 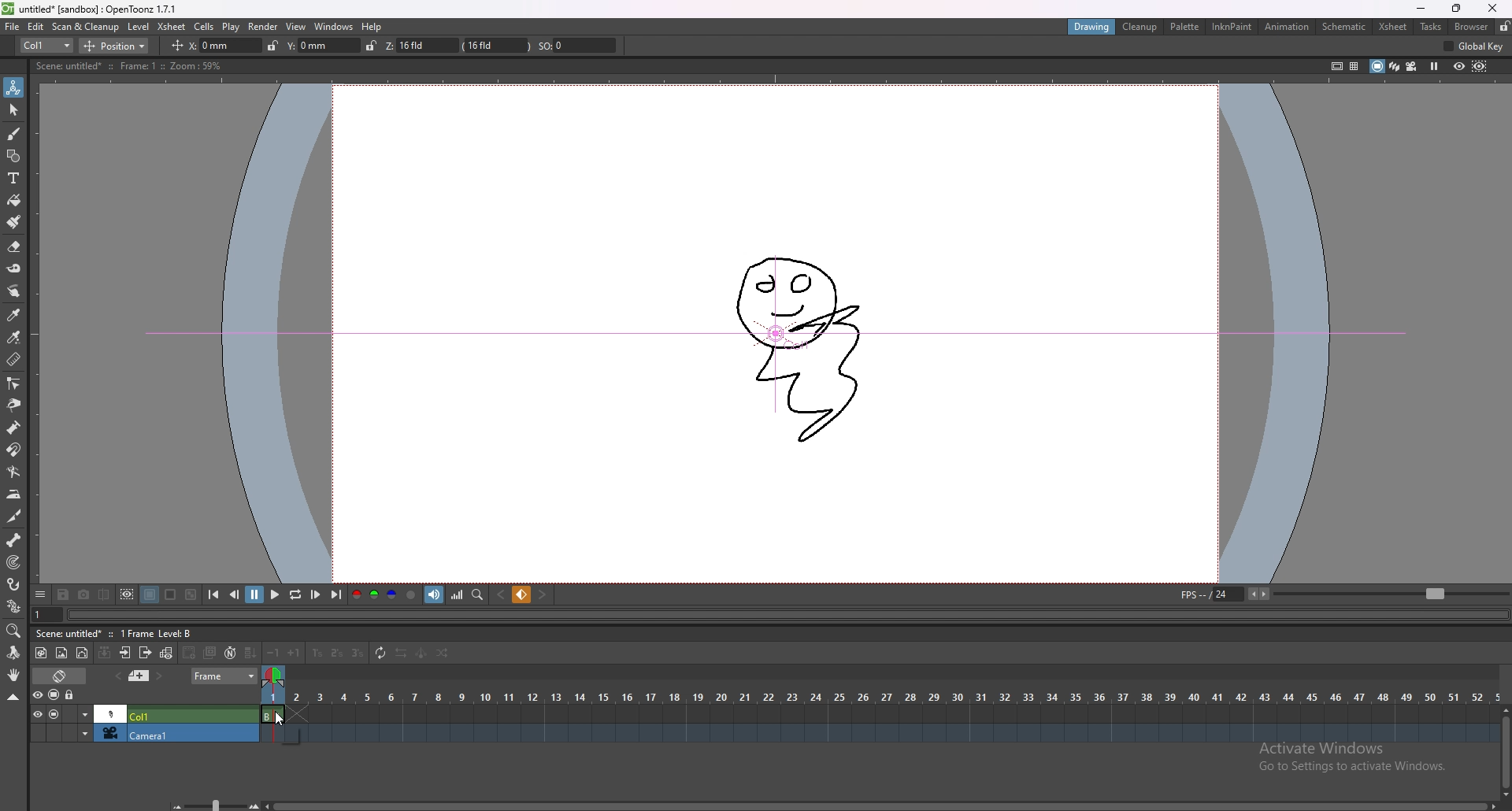 What do you see at coordinates (458, 595) in the screenshot?
I see `histogram` at bounding box center [458, 595].